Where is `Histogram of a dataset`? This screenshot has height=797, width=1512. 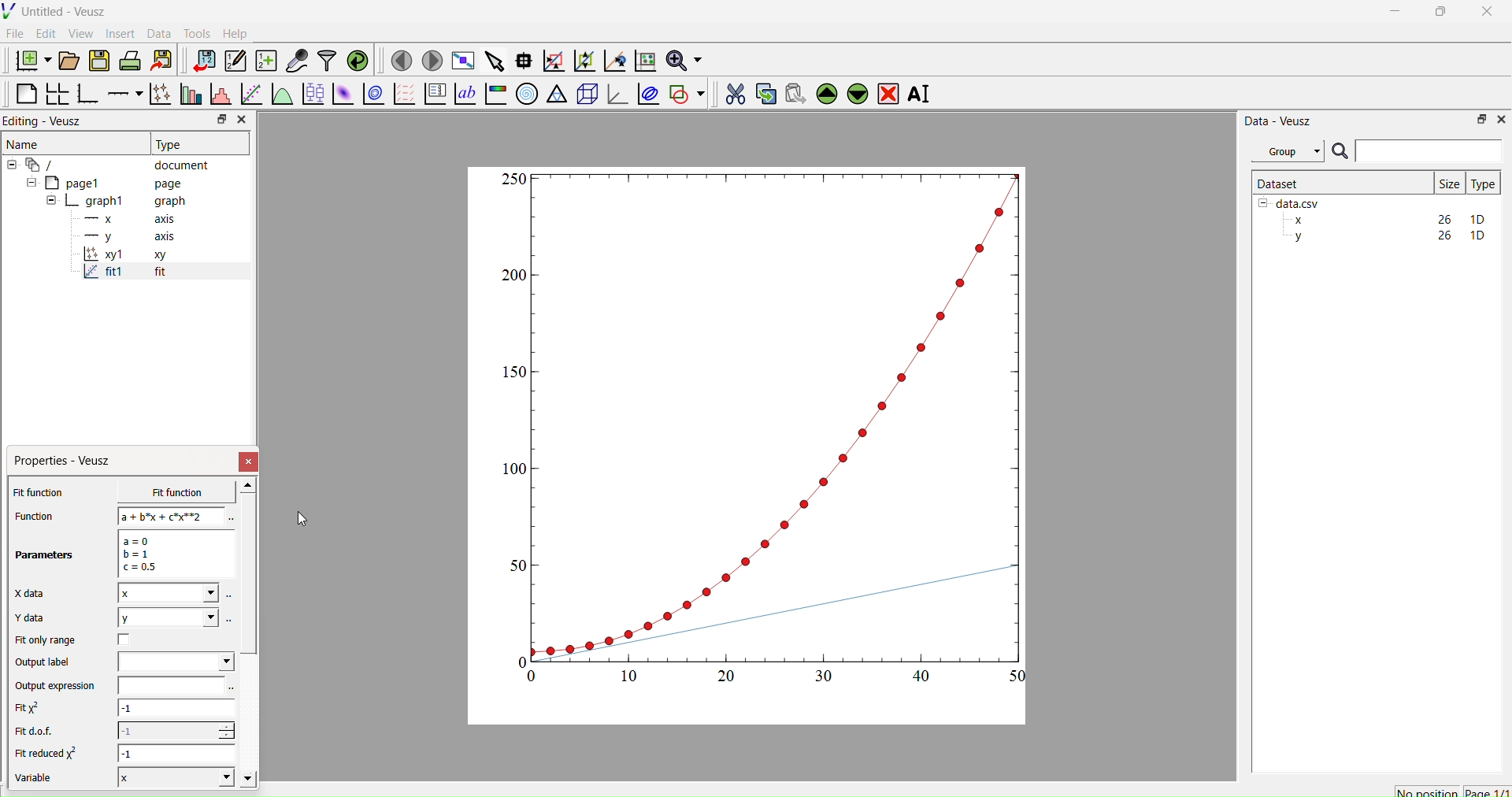
Histogram of a dataset is located at coordinates (217, 96).